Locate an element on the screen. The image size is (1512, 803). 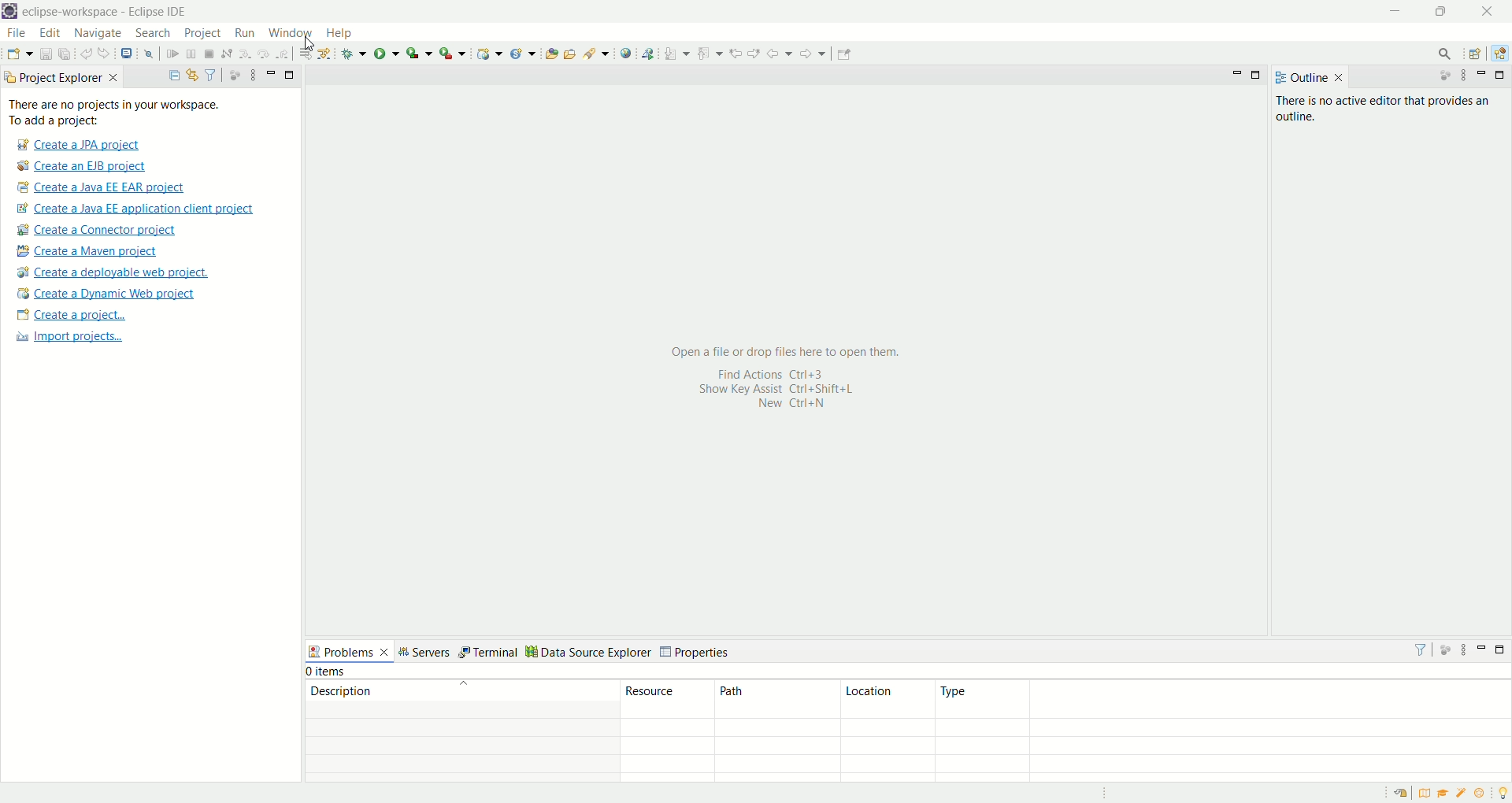
project explorer is located at coordinates (61, 78).